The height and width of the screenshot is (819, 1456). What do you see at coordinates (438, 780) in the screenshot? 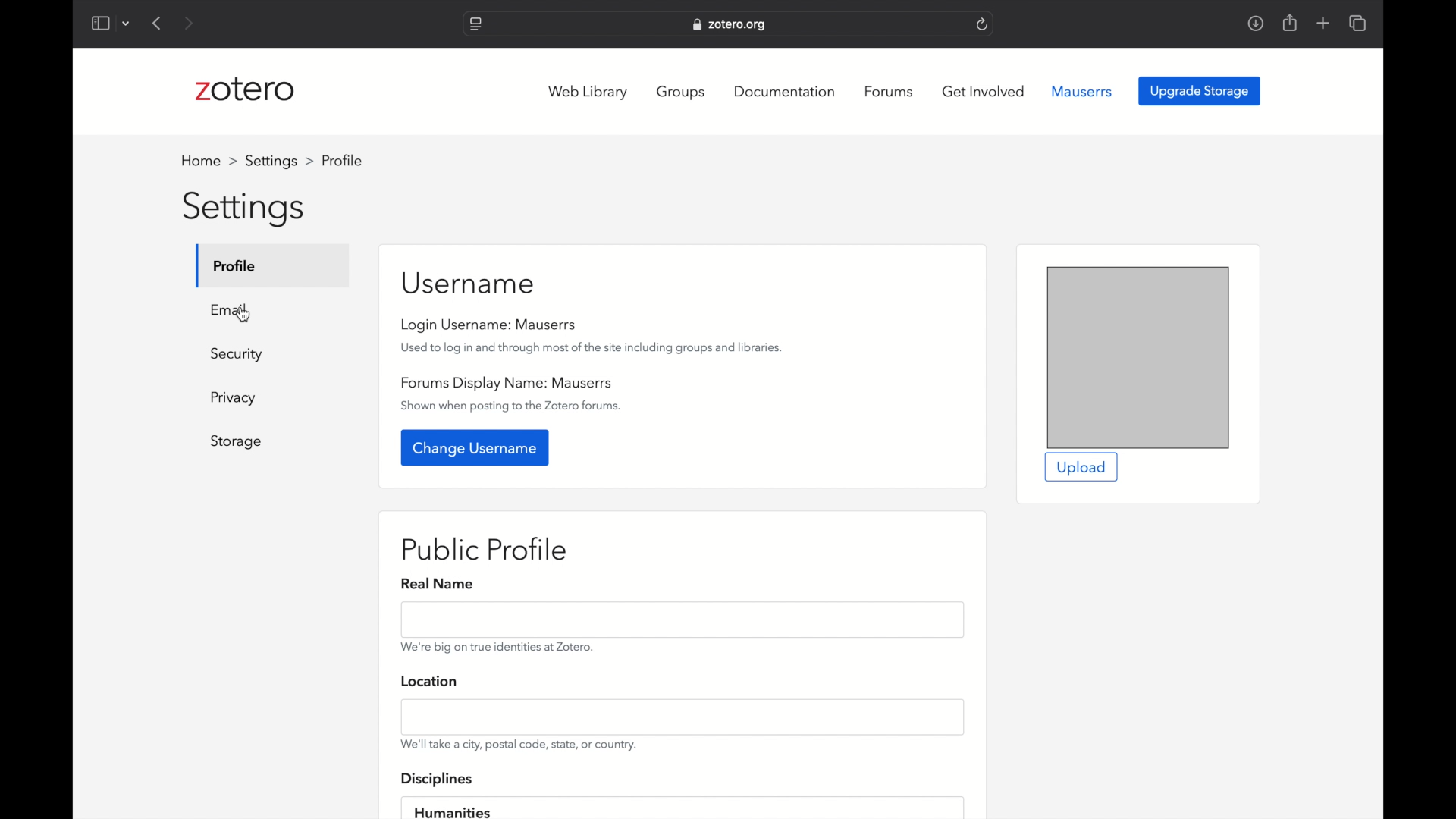
I see `disciplines` at bounding box center [438, 780].